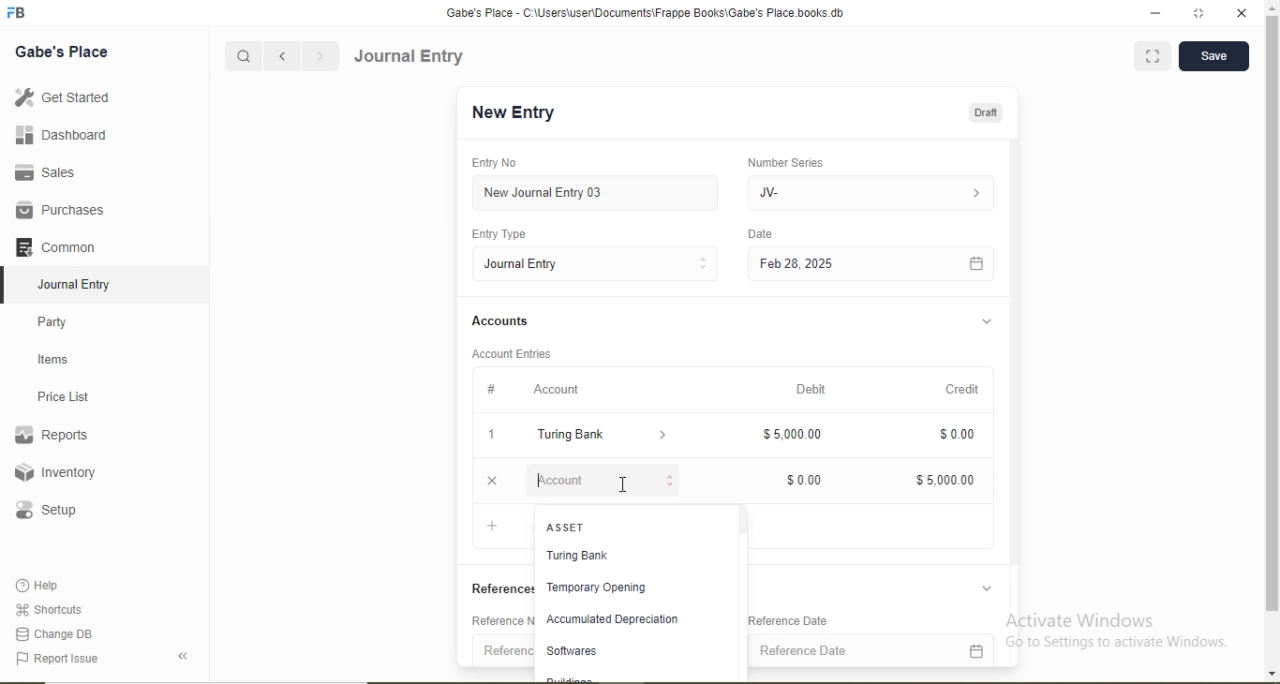  What do you see at coordinates (59, 210) in the screenshot?
I see `Purchases` at bounding box center [59, 210].